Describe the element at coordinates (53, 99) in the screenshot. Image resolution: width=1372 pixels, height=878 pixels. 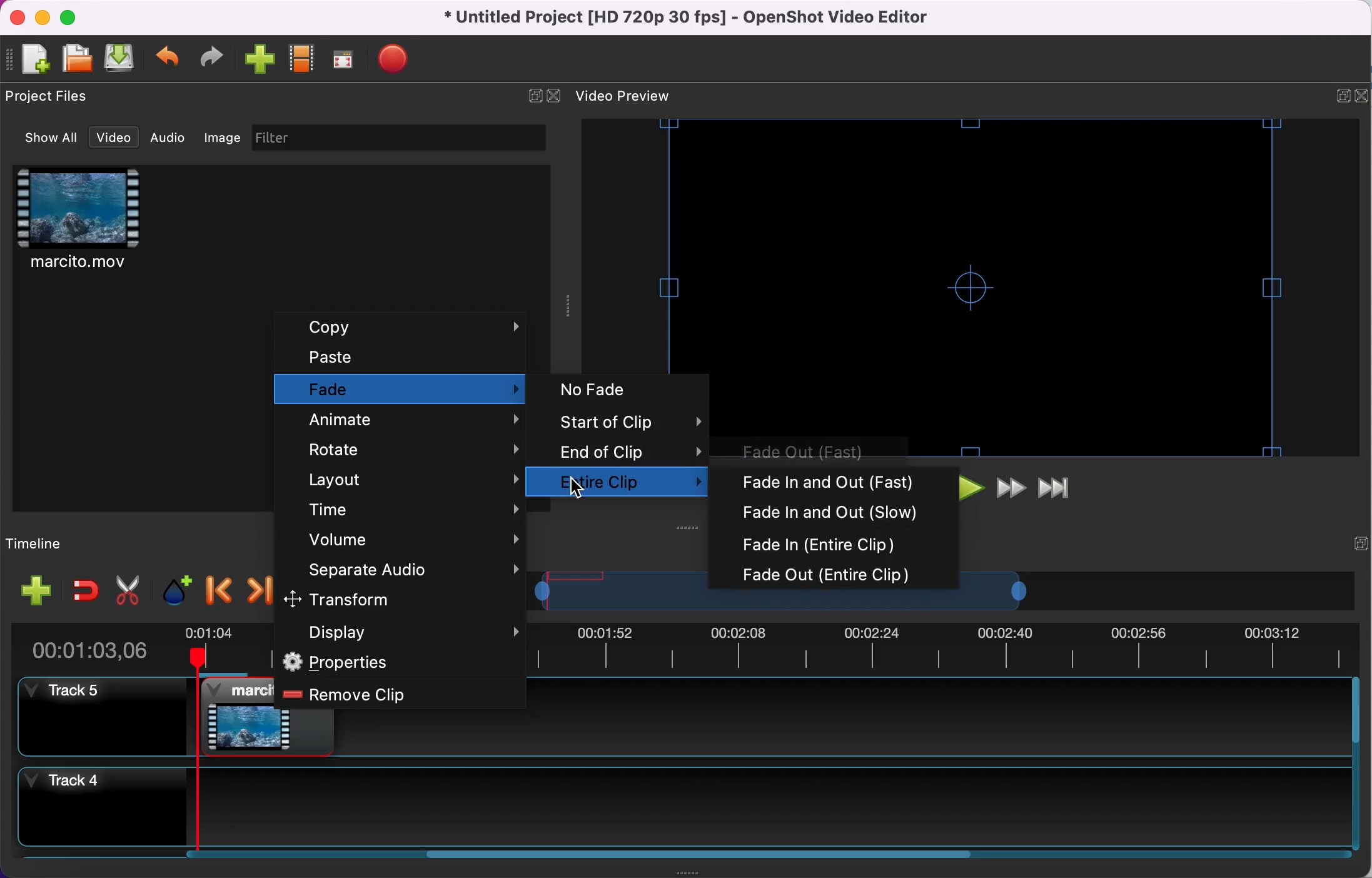
I see `project files` at that location.